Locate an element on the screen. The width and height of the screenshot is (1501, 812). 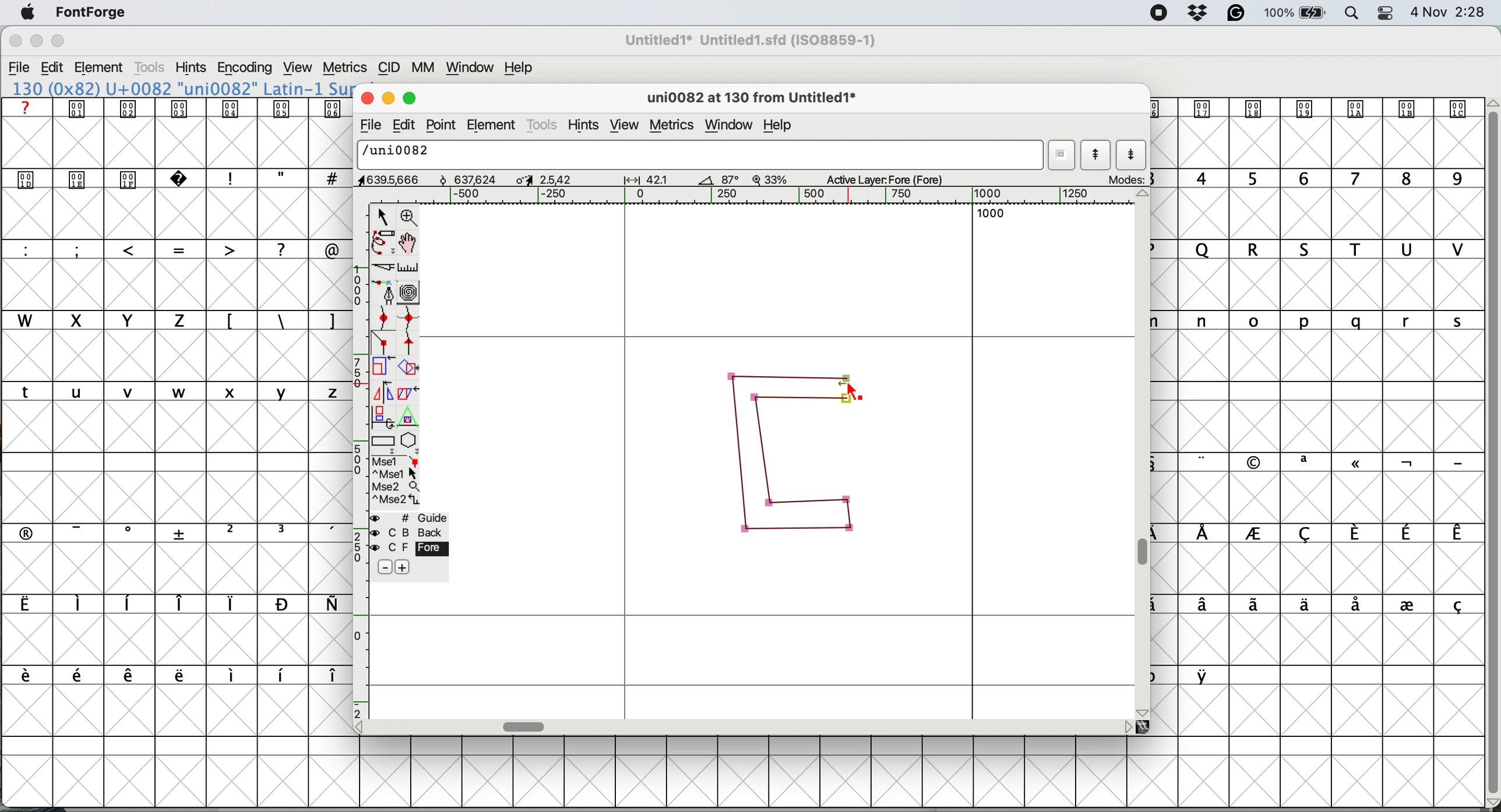
edit is located at coordinates (408, 126).